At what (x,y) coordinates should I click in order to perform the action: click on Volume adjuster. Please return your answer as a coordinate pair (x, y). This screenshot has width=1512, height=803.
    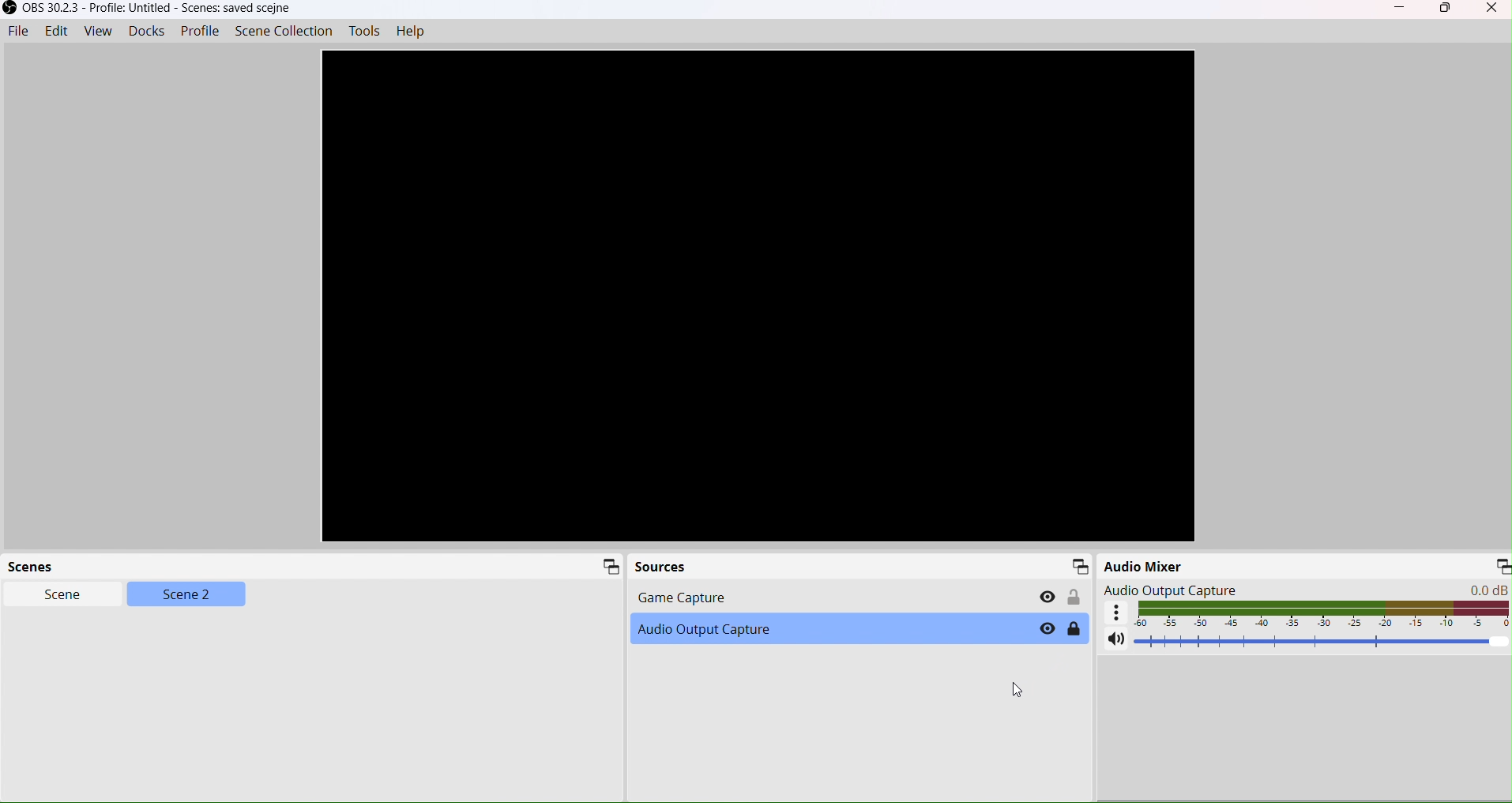
    Looking at the image, I should click on (1322, 643).